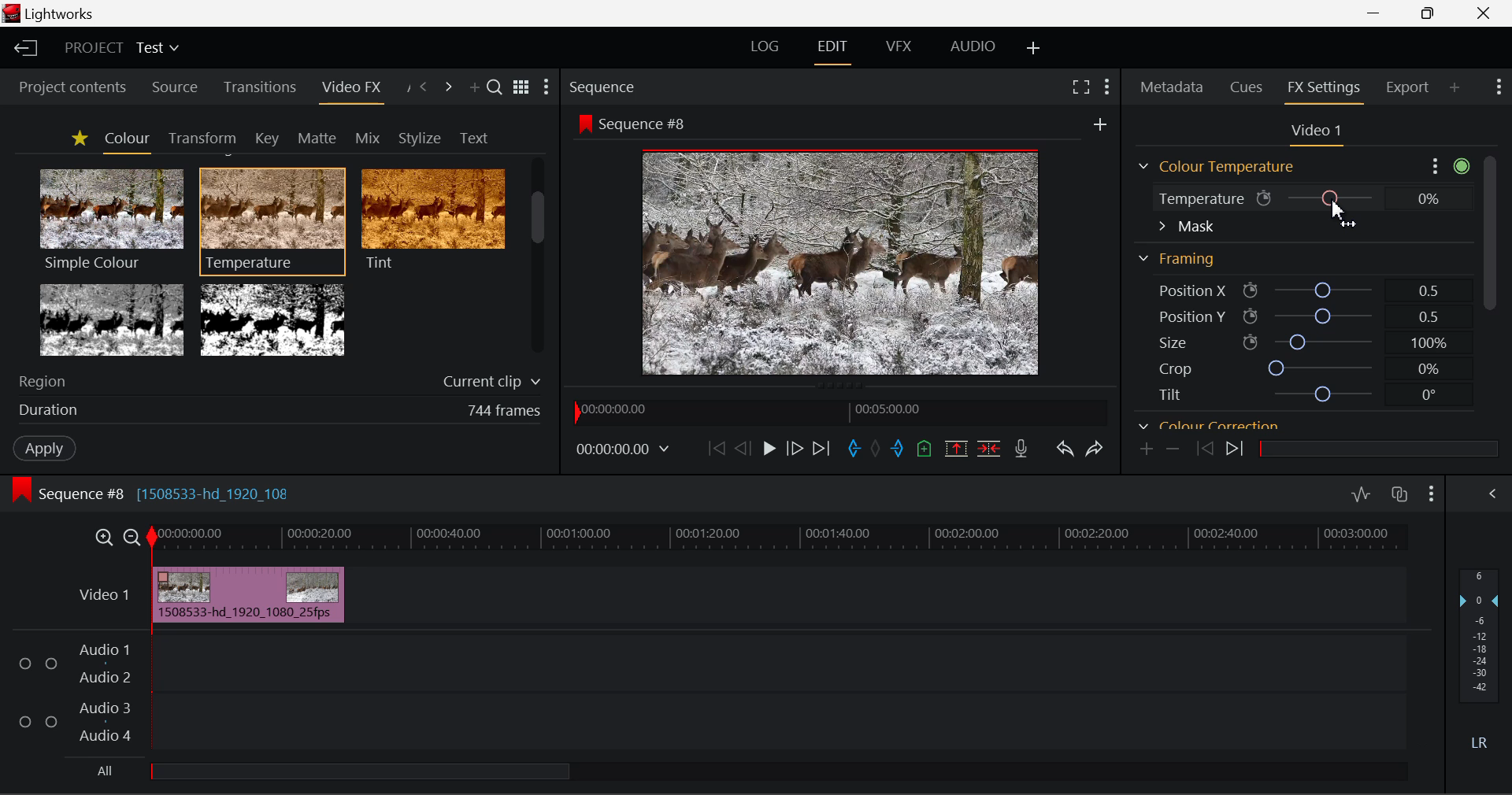 This screenshot has height=795, width=1512. Describe the element at coordinates (1492, 275) in the screenshot. I see `Scroll Bar` at that location.